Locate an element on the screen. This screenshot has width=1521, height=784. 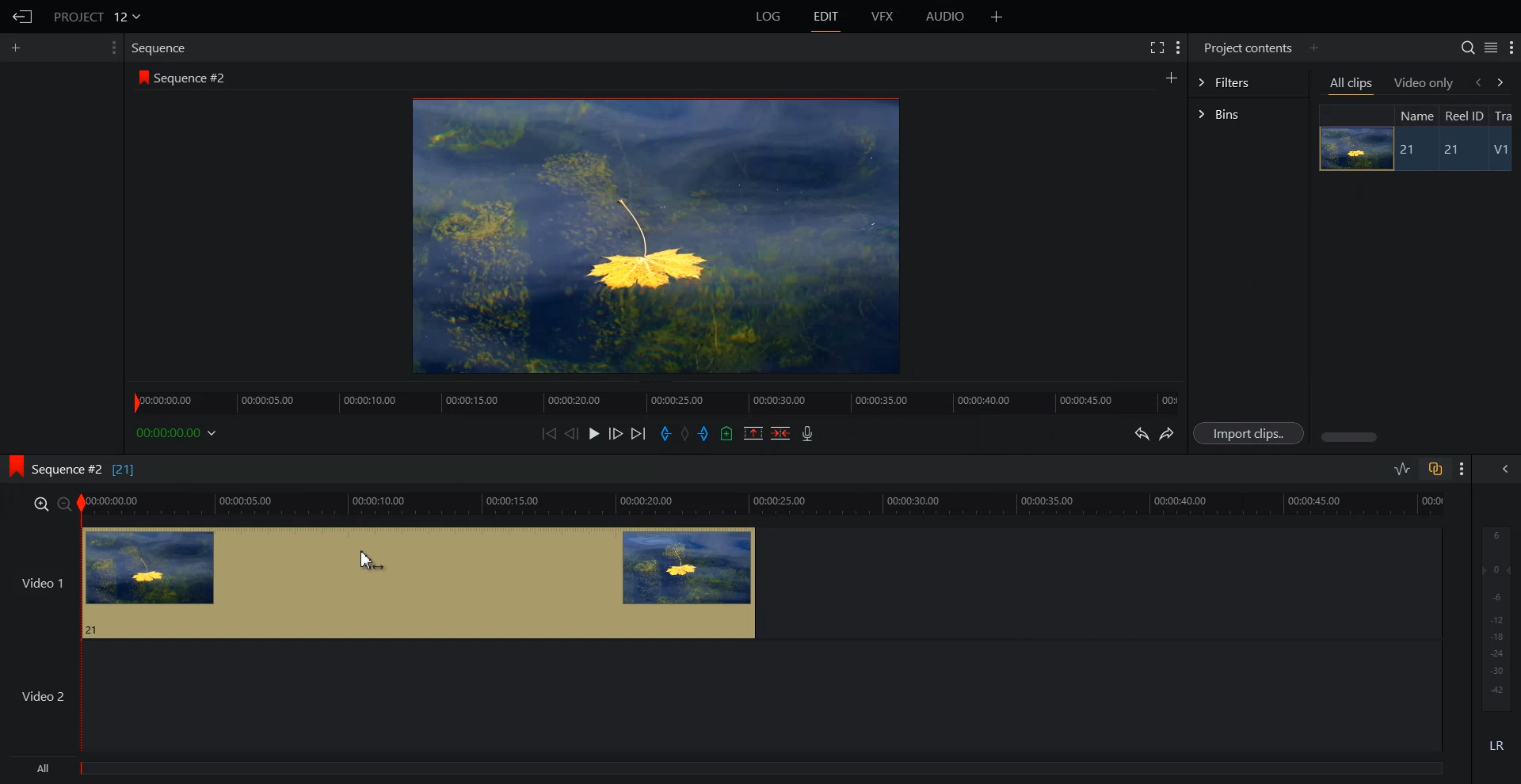
Move backward is located at coordinates (551, 433).